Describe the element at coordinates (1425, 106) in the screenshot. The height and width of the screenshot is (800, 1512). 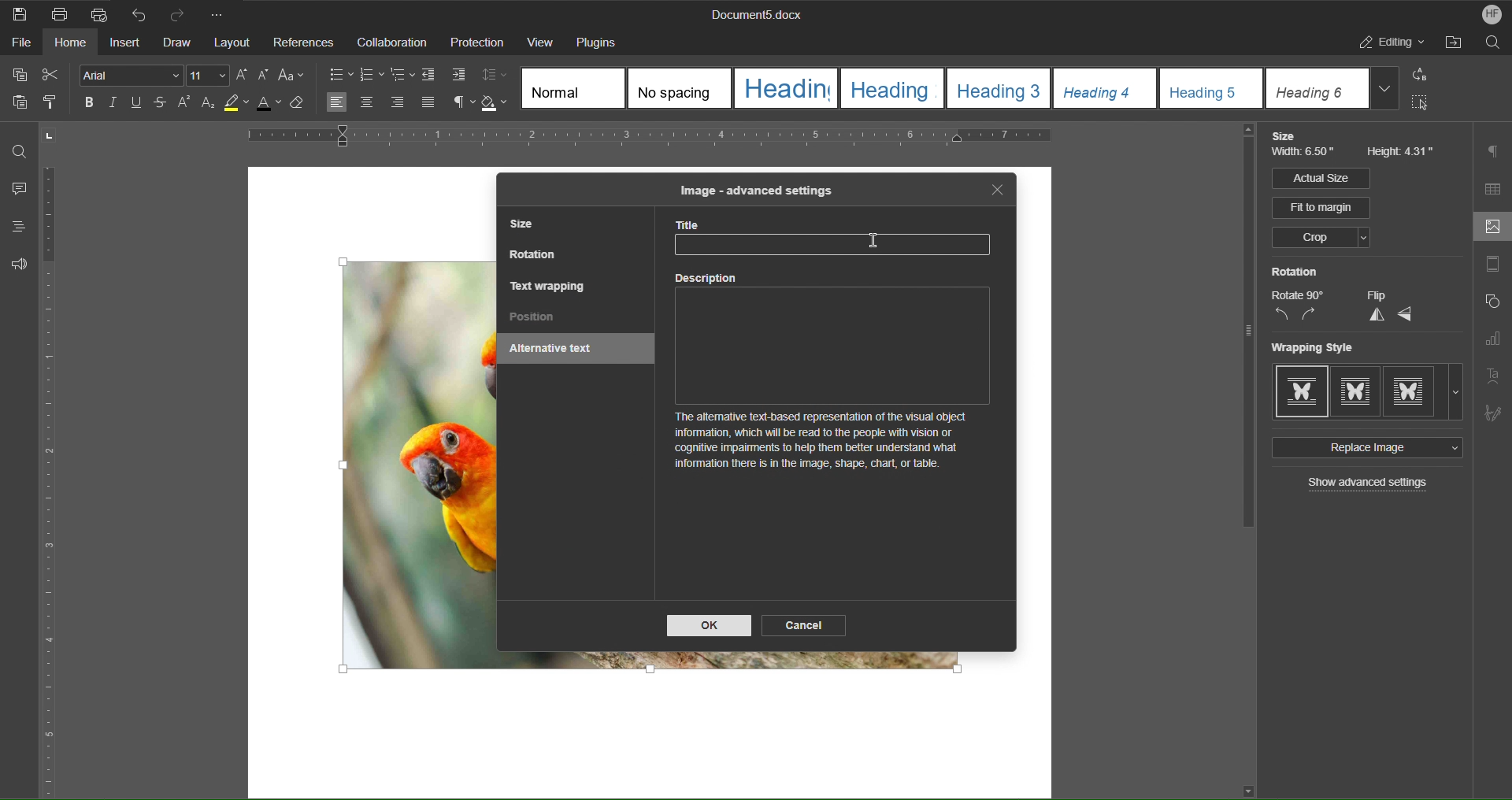
I see `Select All` at that location.